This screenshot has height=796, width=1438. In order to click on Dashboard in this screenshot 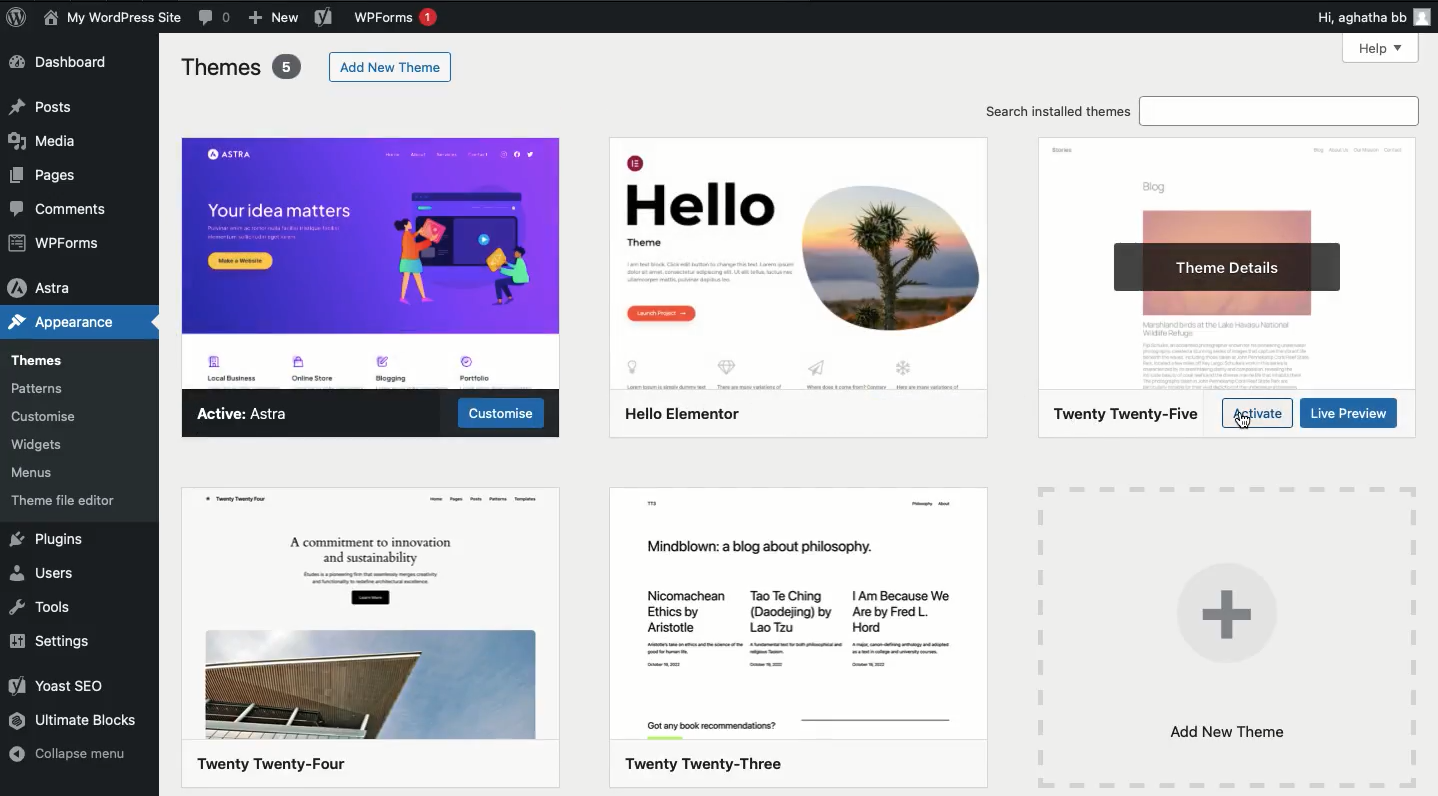, I will do `click(62, 62)`.